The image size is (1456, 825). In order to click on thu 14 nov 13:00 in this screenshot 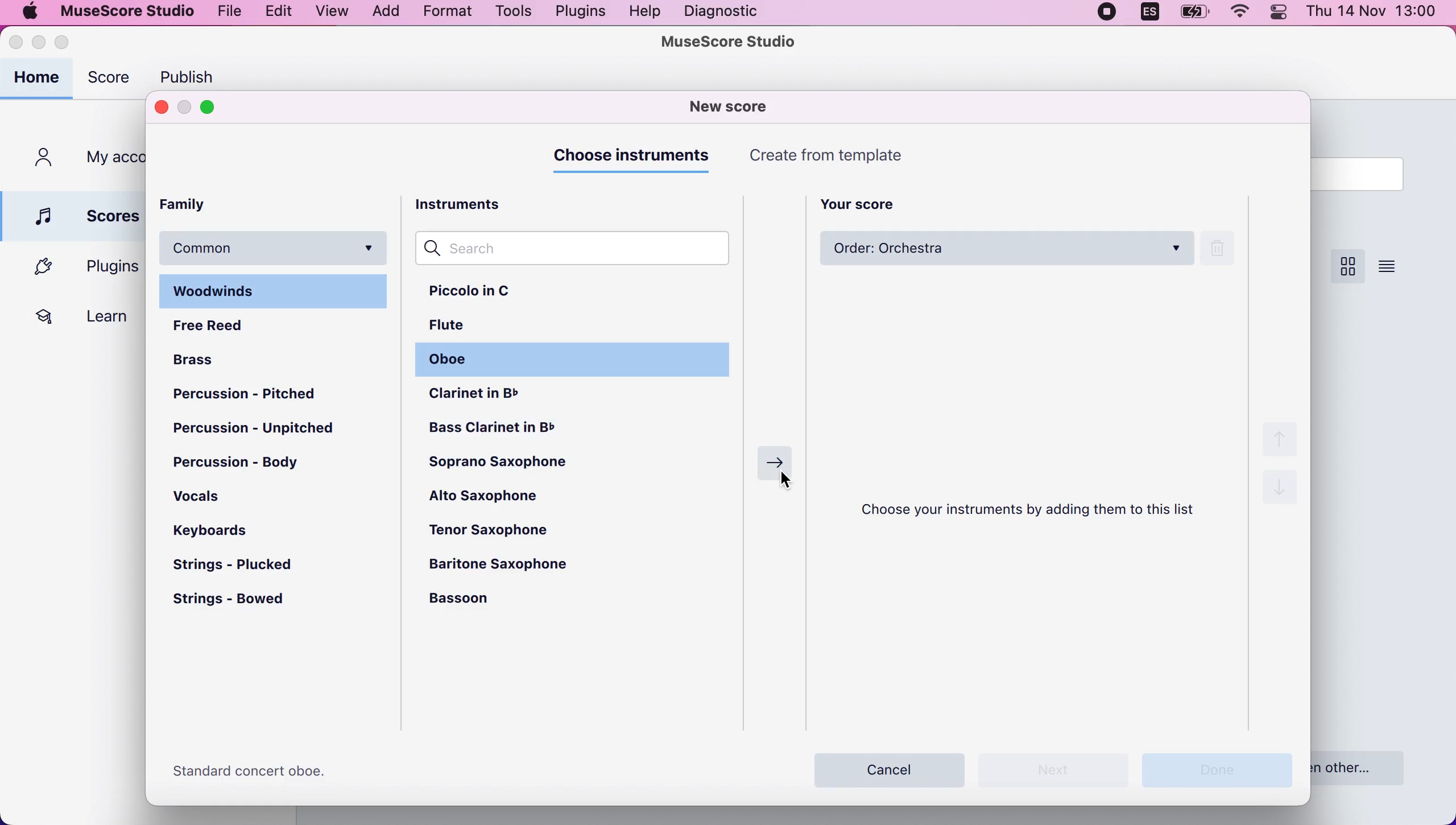, I will do `click(1373, 13)`.